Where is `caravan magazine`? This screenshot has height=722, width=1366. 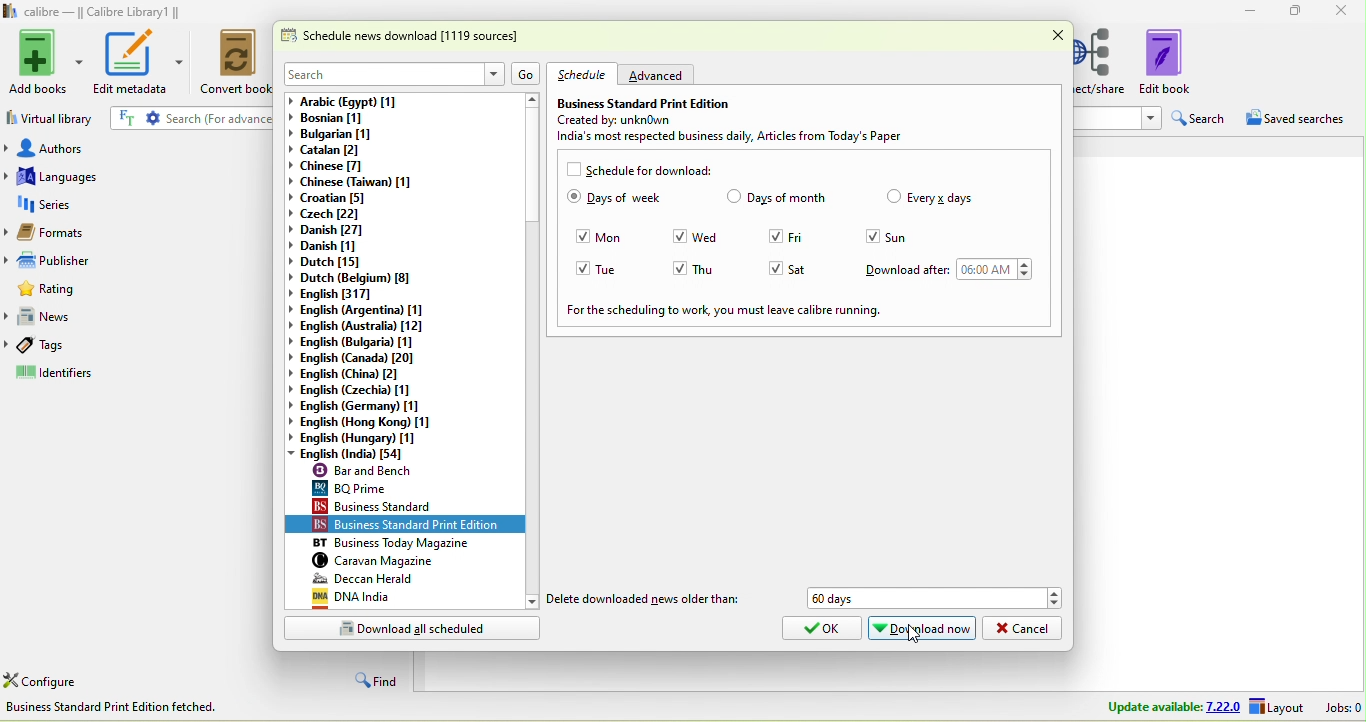
caravan magazine is located at coordinates (413, 561).